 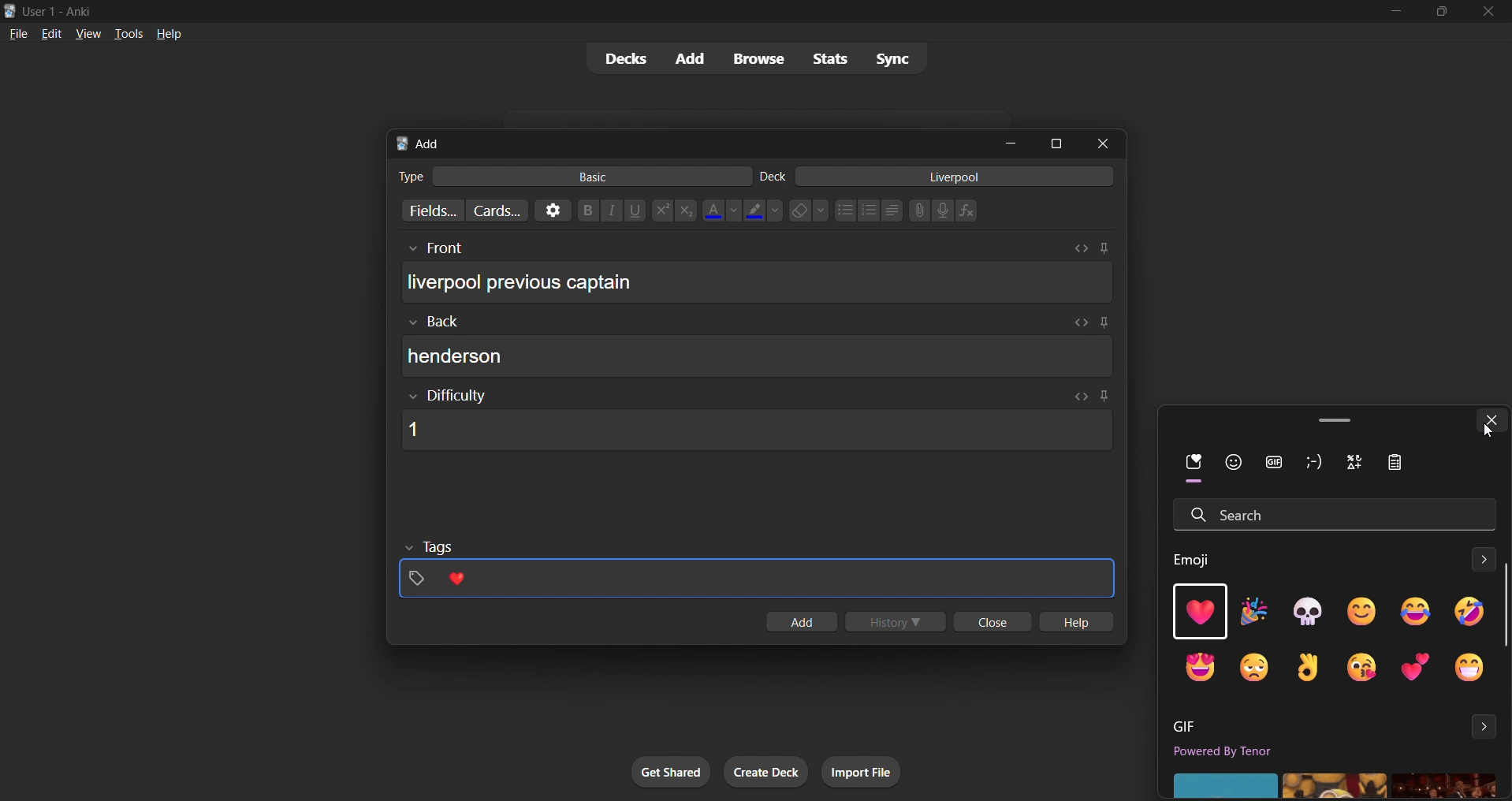 I want to click on import file, so click(x=867, y=770).